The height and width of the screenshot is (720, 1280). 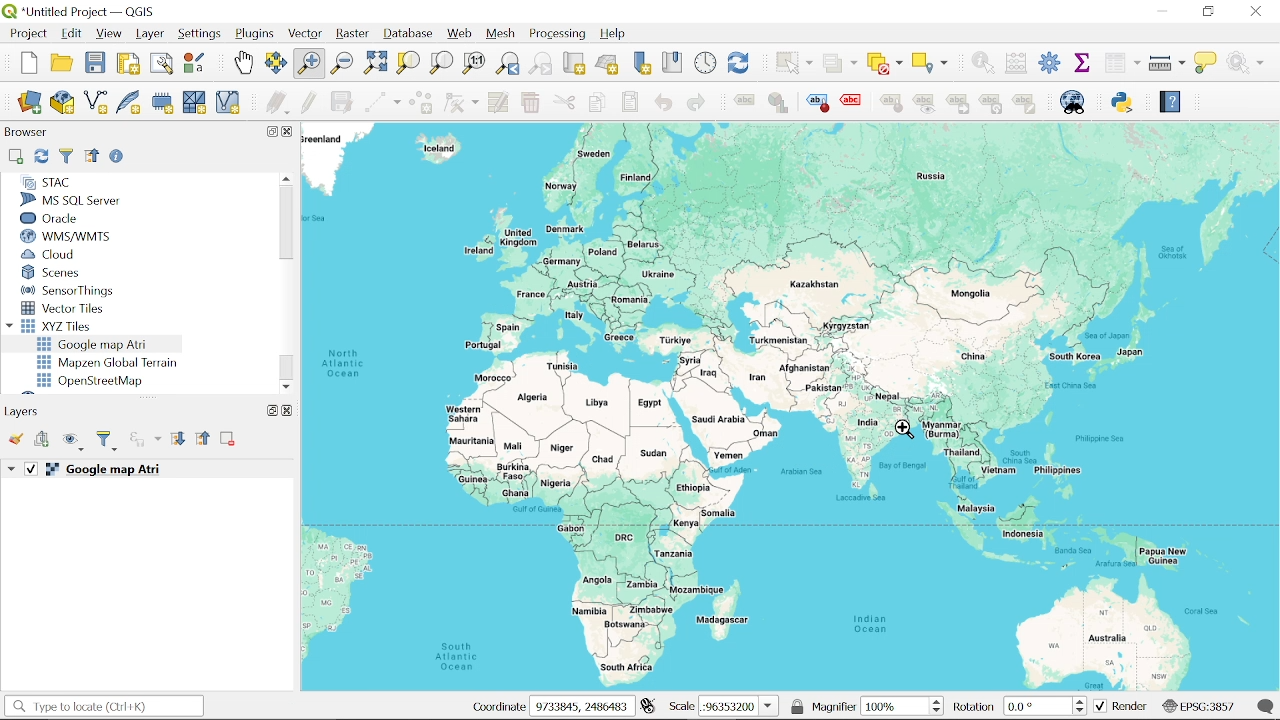 What do you see at coordinates (72, 34) in the screenshot?
I see `Edit` at bounding box center [72, 34].